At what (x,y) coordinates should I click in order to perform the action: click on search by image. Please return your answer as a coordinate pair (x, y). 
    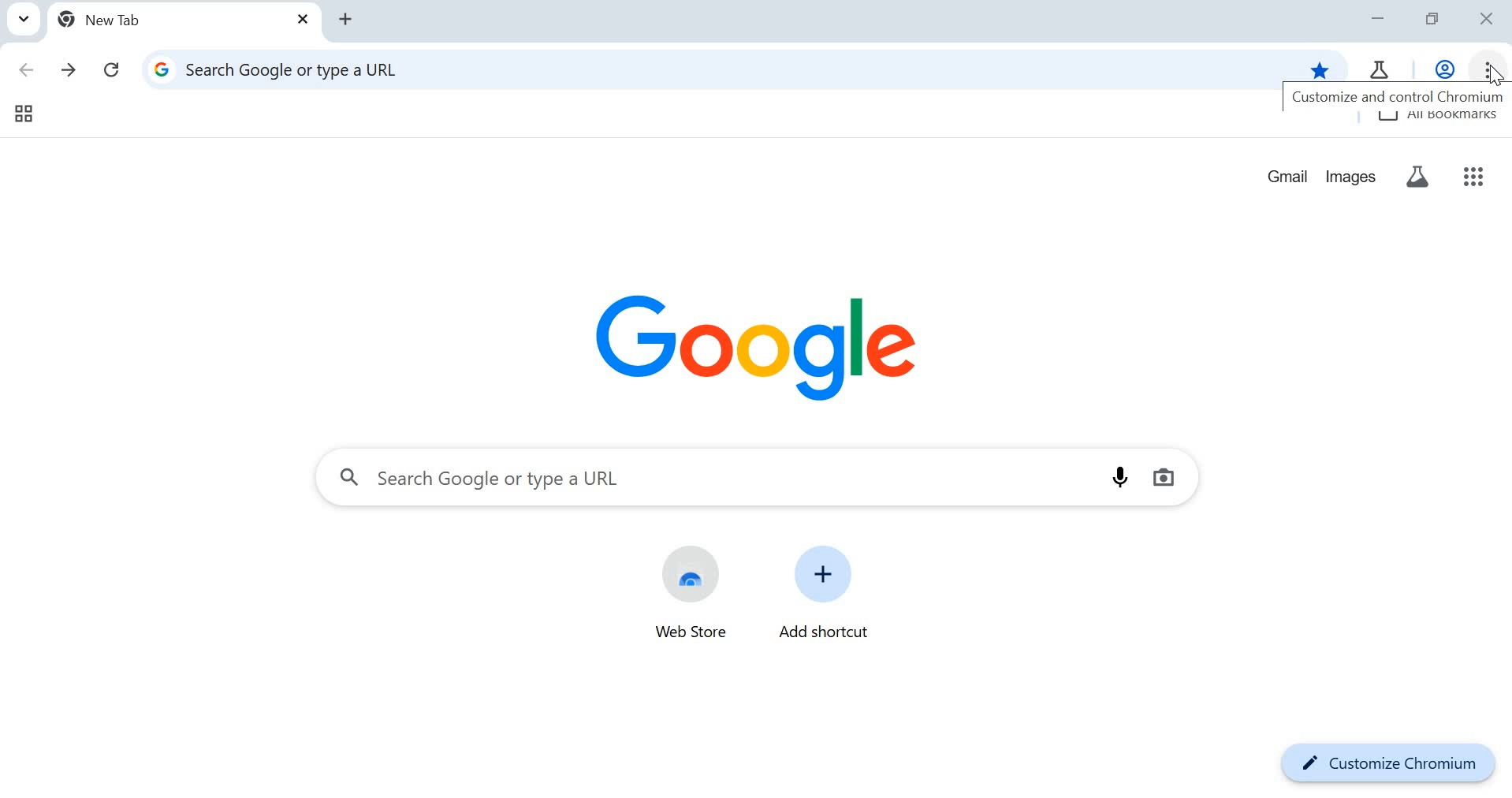
    Looking at the image, I should click on (1163, 479).